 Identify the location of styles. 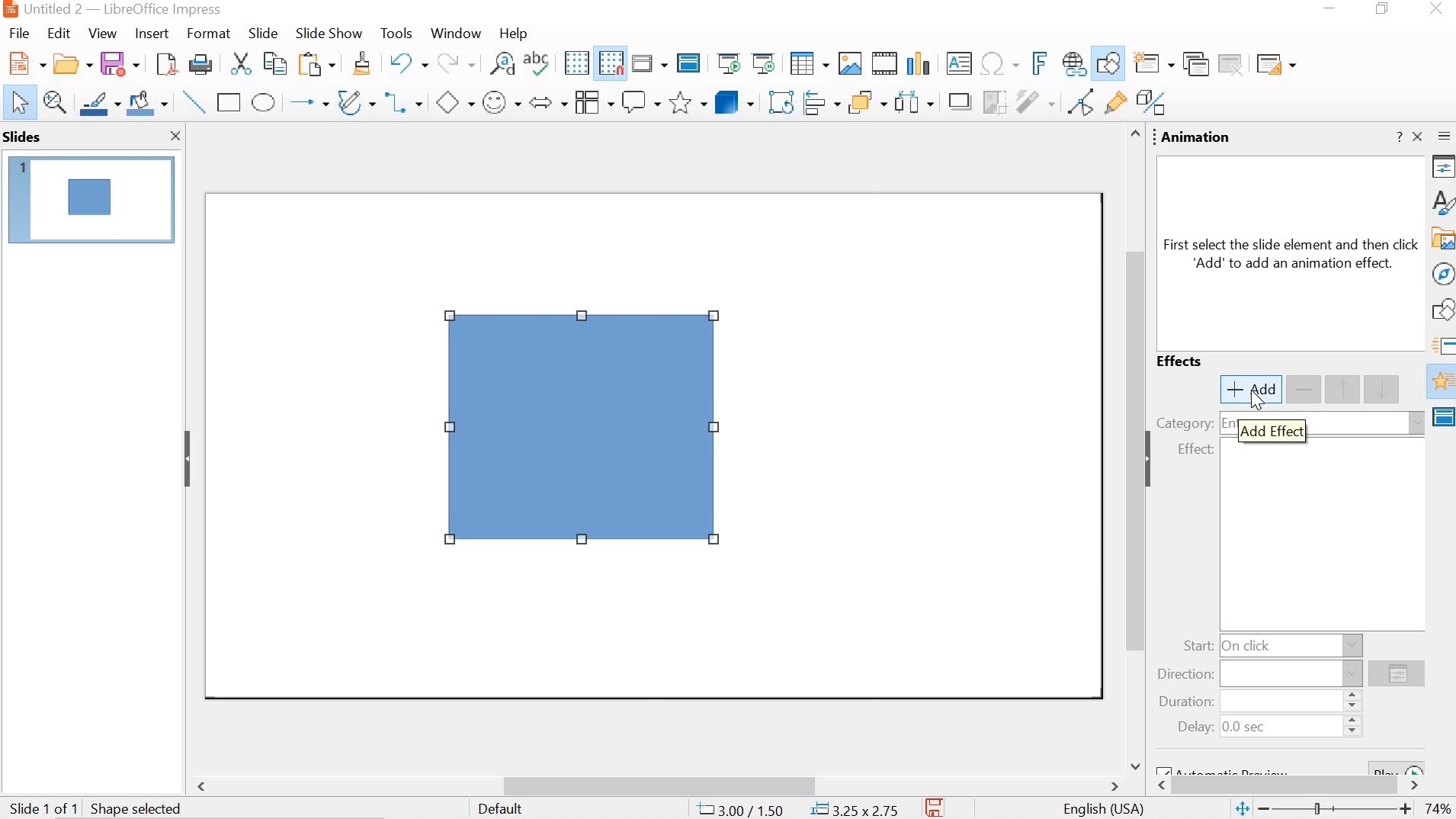
(1442, 201).